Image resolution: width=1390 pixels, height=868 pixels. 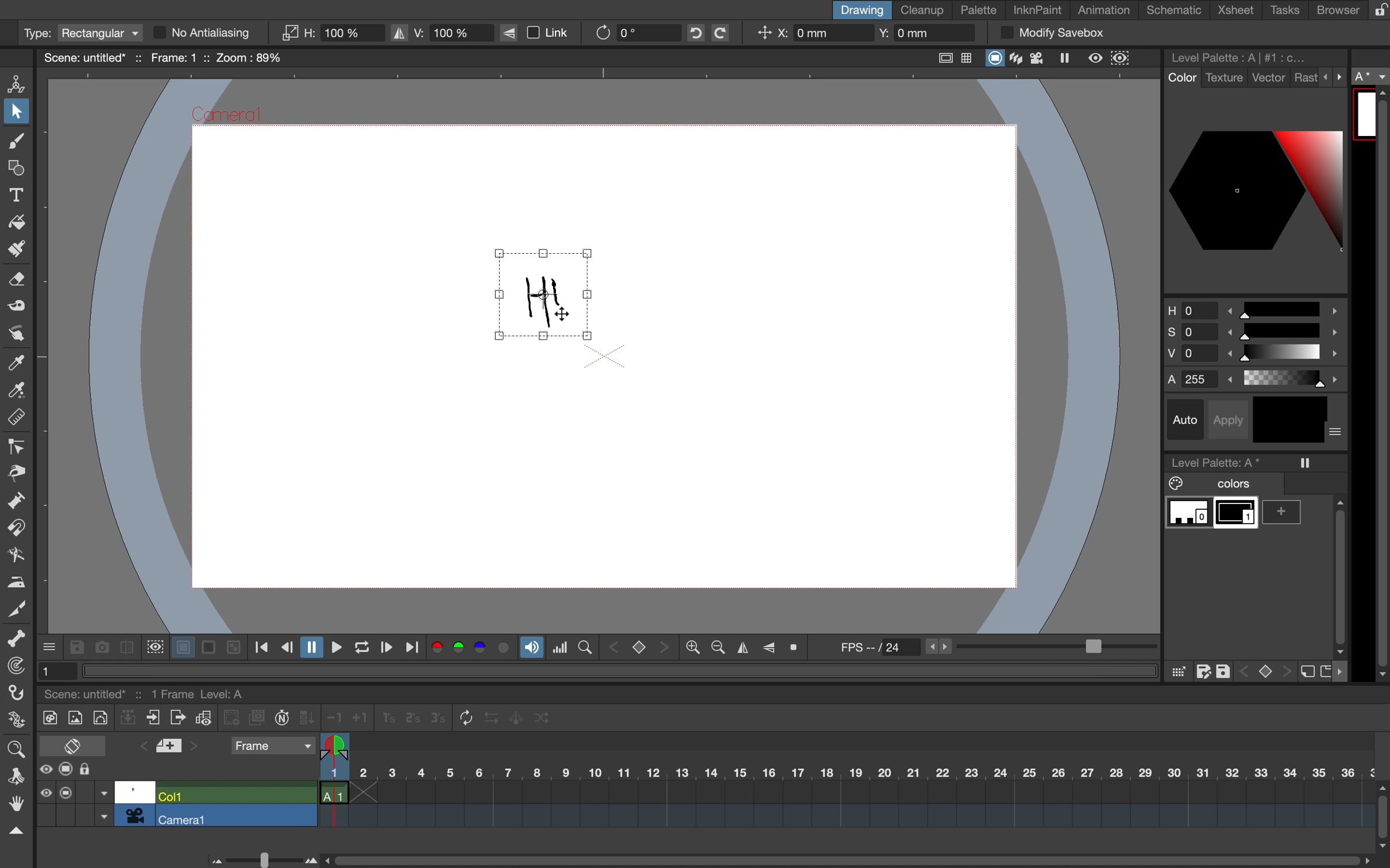 I want to click on close xsubsheet, so click(x=153, y=718).